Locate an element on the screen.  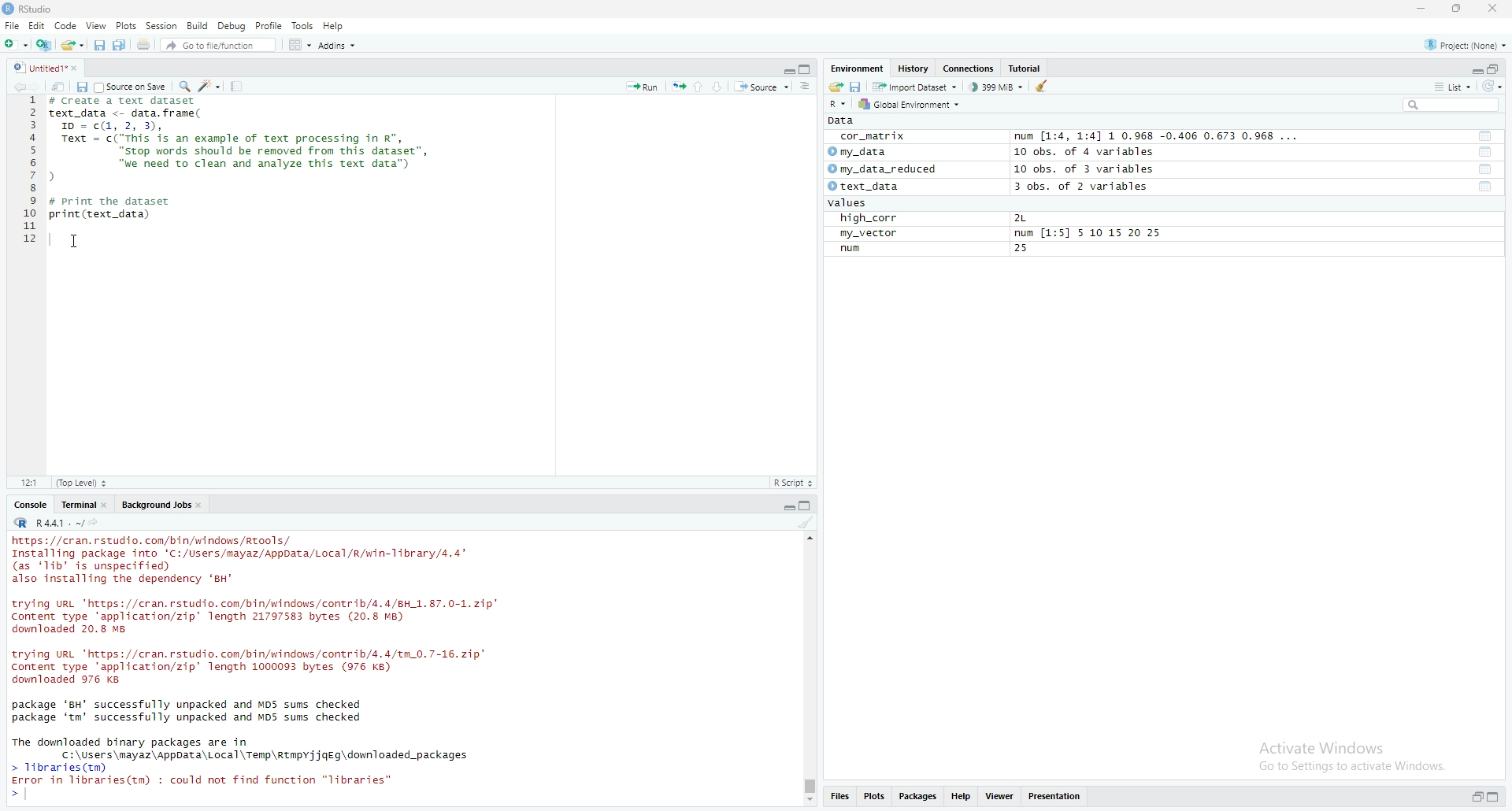
addins is located at coordinates (339, 46).